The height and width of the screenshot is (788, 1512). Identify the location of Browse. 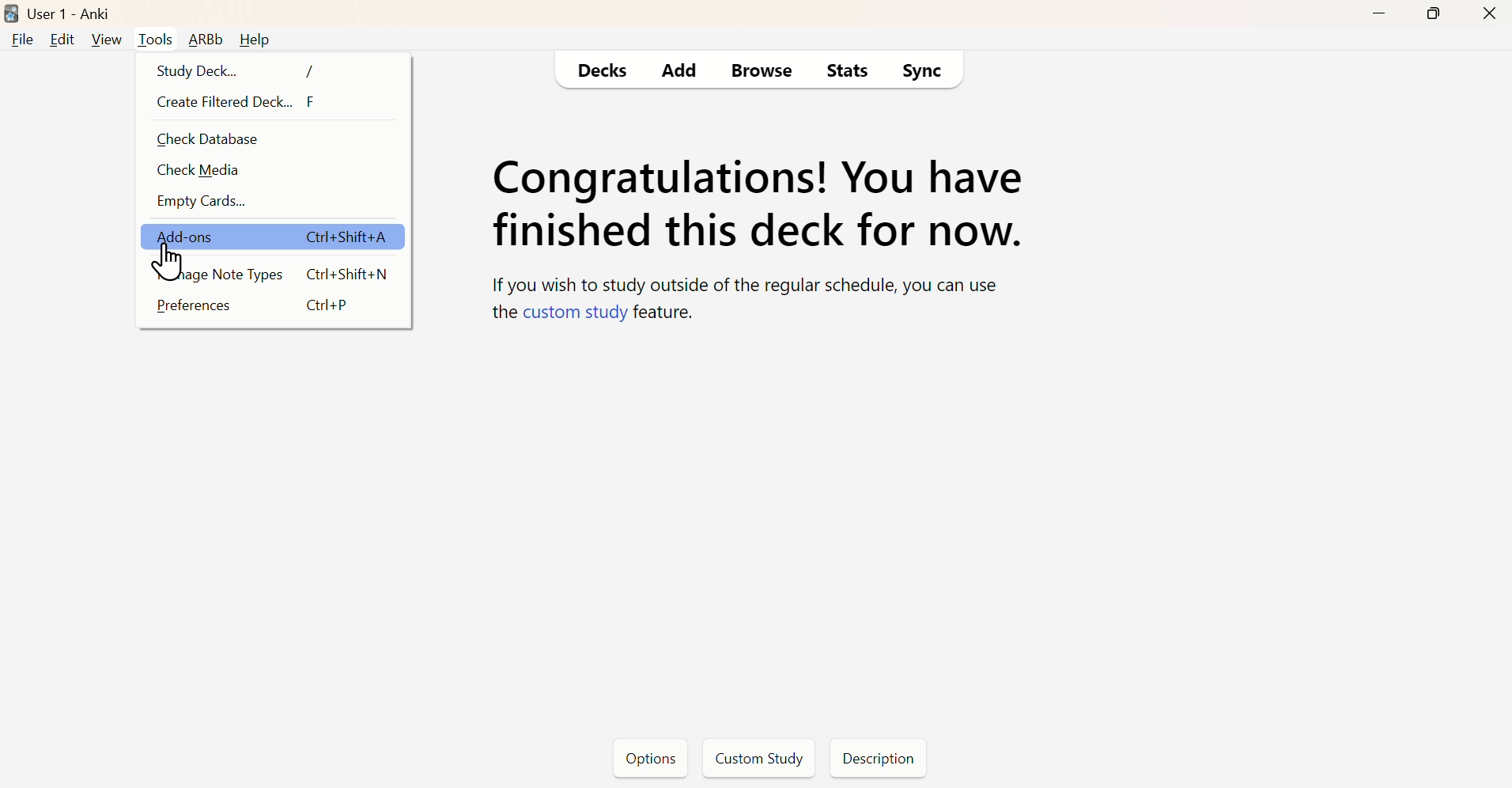
(769, 70).